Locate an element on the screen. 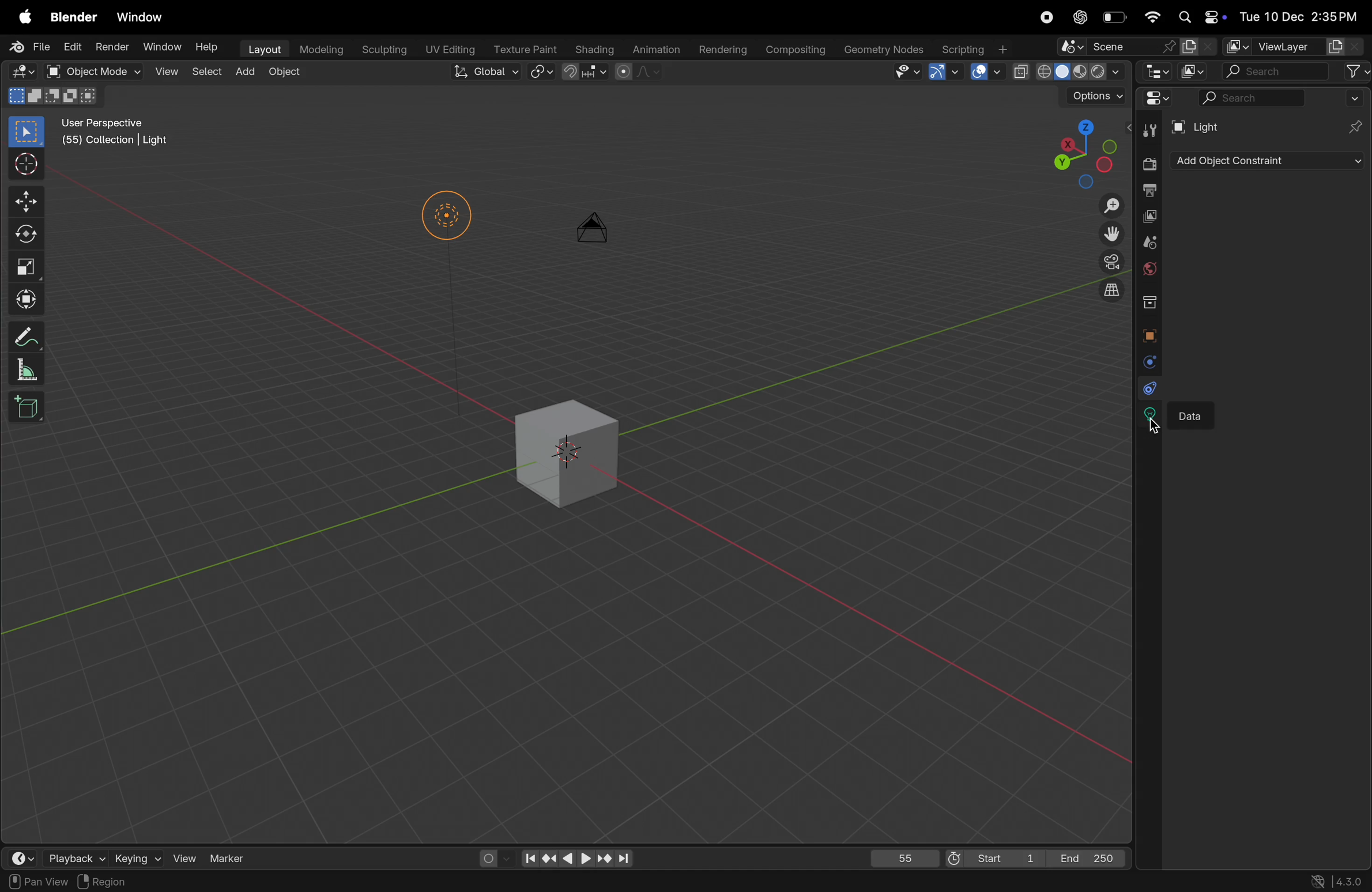 The image size is (1372, 892). date and time is located at coordinates (1304, 19).